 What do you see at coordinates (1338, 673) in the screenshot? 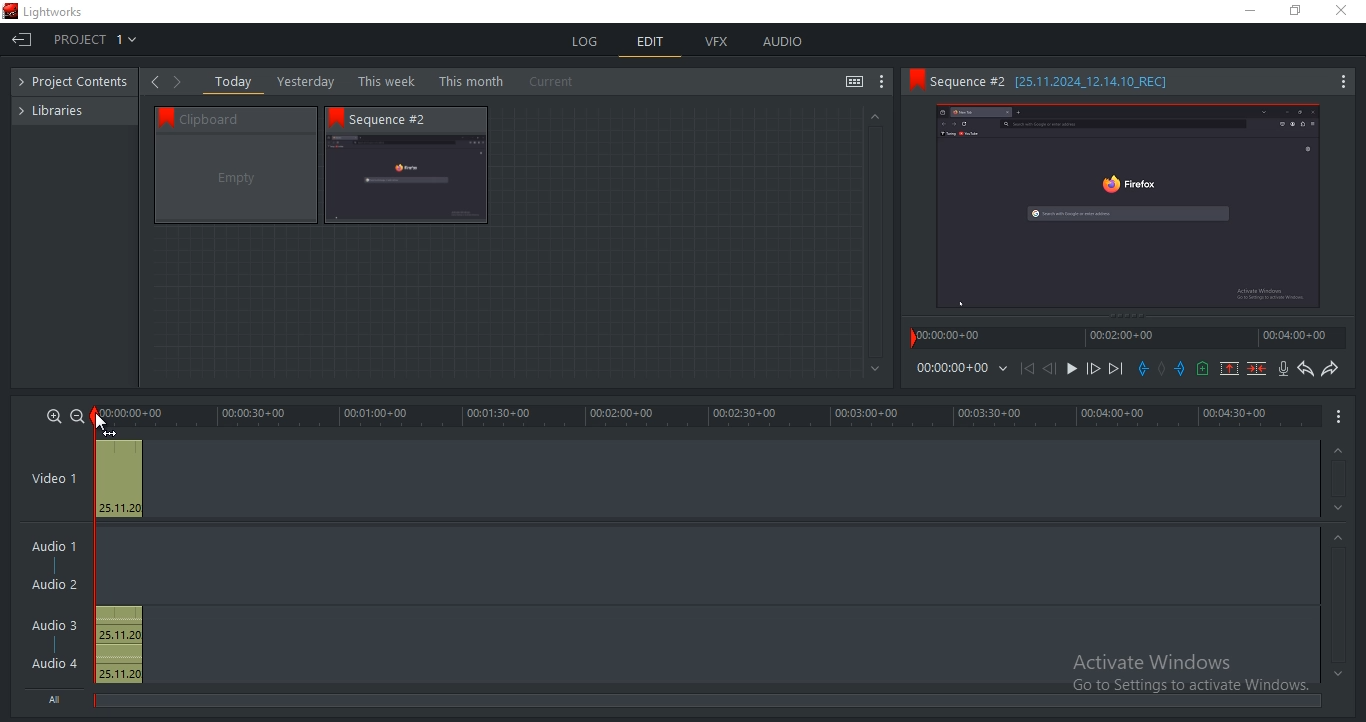
I see `Greyed out down arrow` at bounding box center [1338, 673].